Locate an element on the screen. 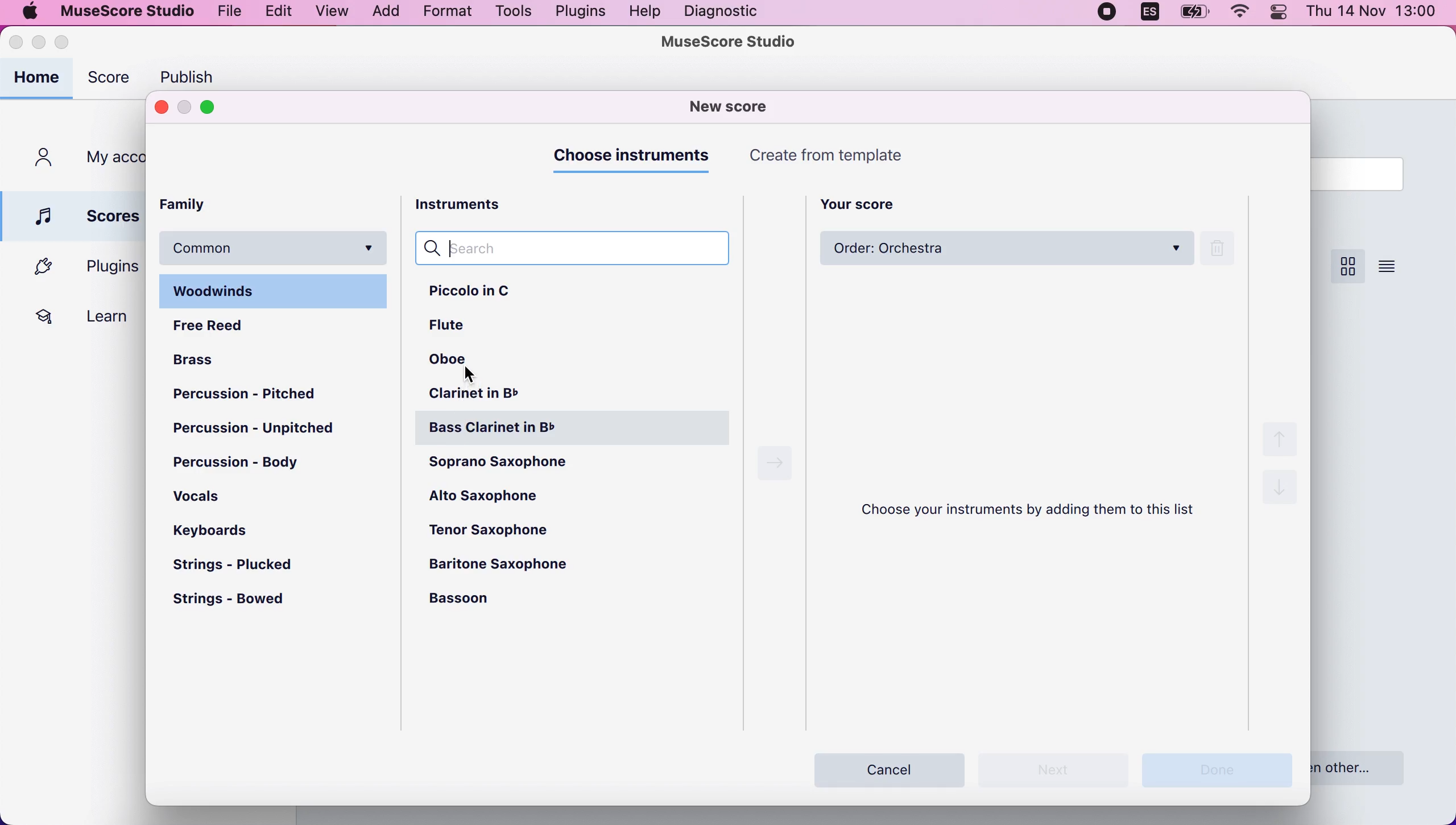 The height and width of the screenshot is (825, 1456). language is located at coordinates (1147, 15).